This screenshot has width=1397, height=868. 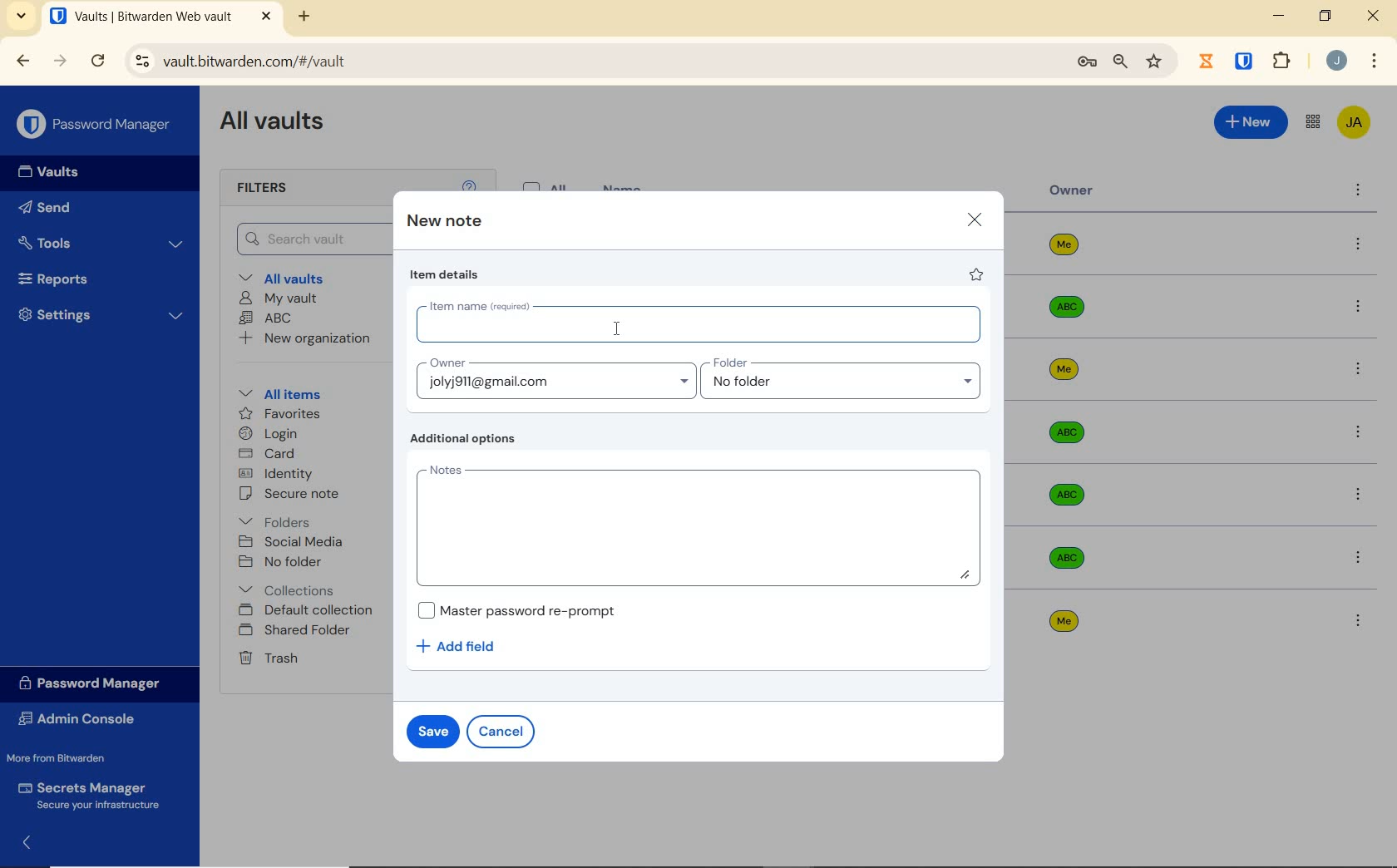 I want to click on SOCIAL MEDIA, so click(x=294, y=542).